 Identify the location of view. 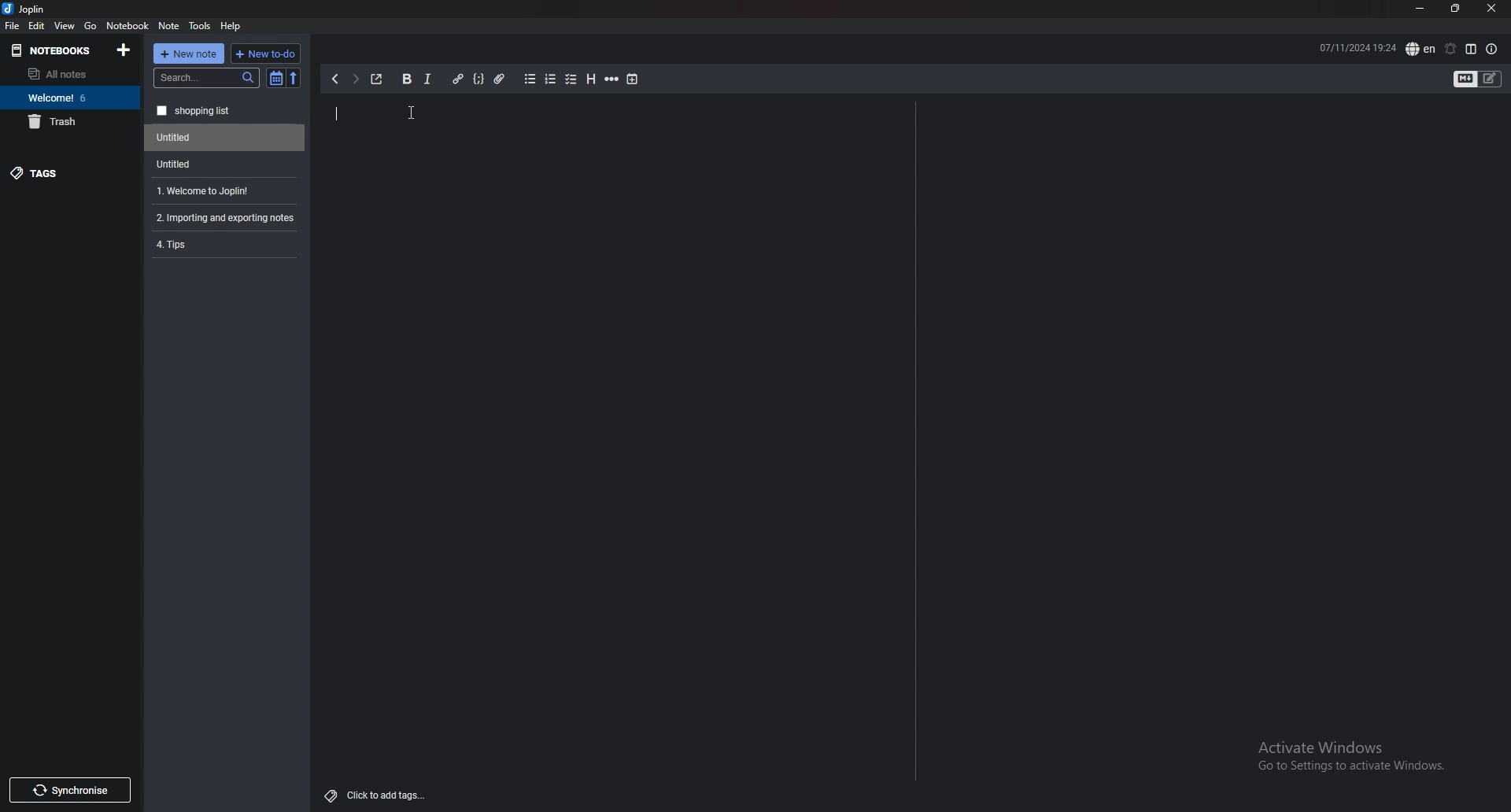
(65, 25).